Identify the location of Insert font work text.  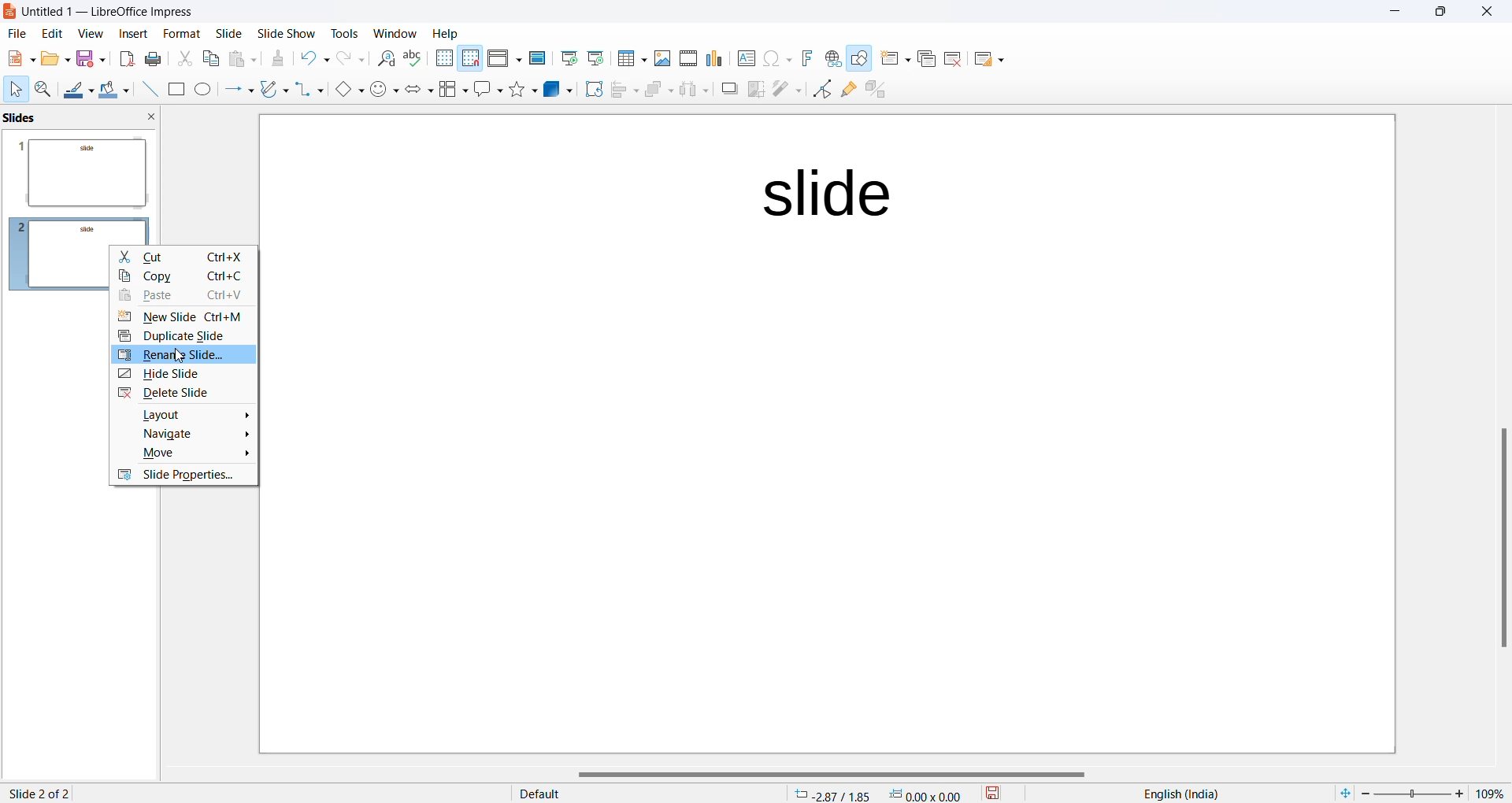
(806, 58).